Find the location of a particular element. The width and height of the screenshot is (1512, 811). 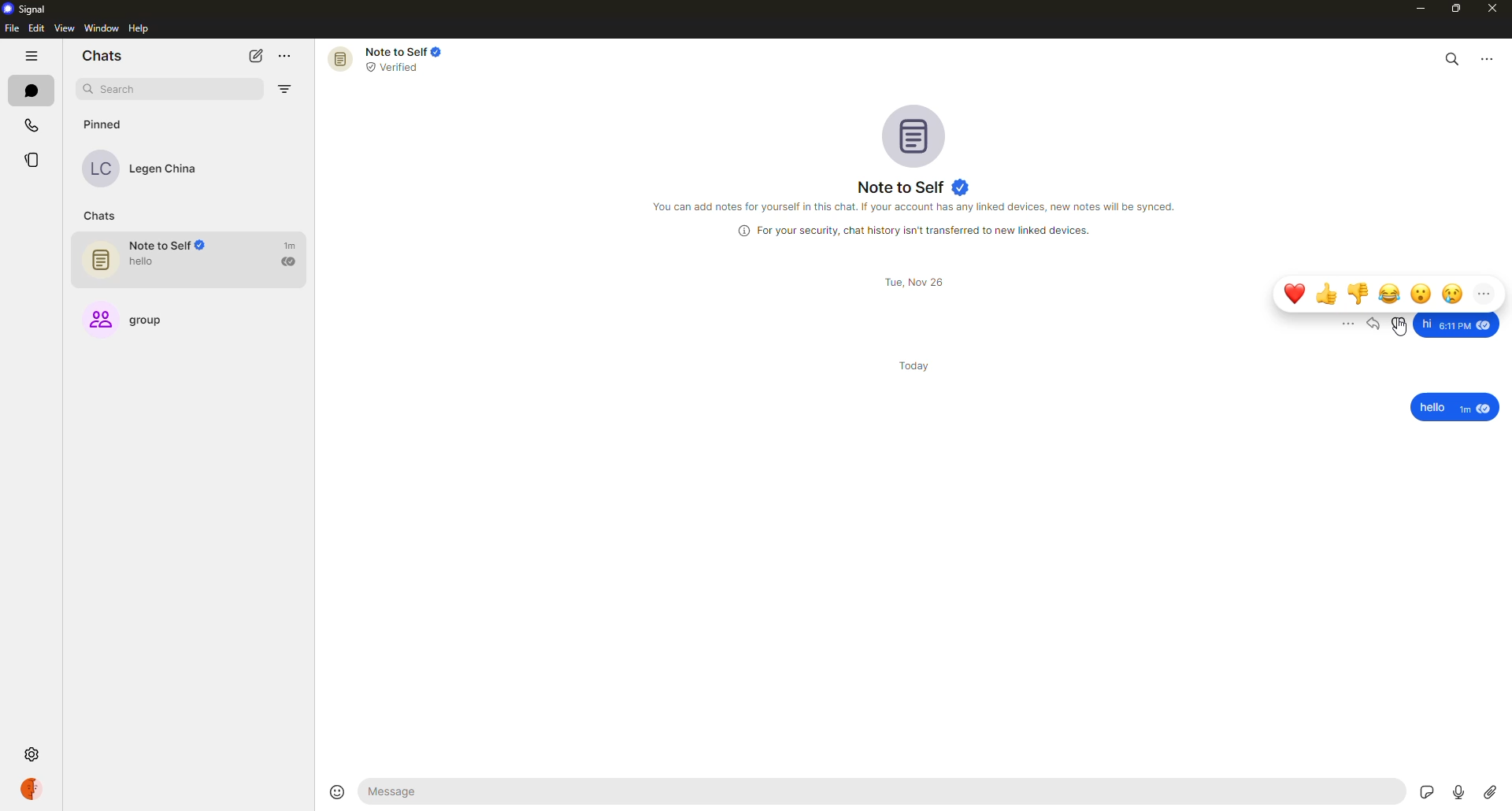

minimize is located at coordinates (1415, 8).